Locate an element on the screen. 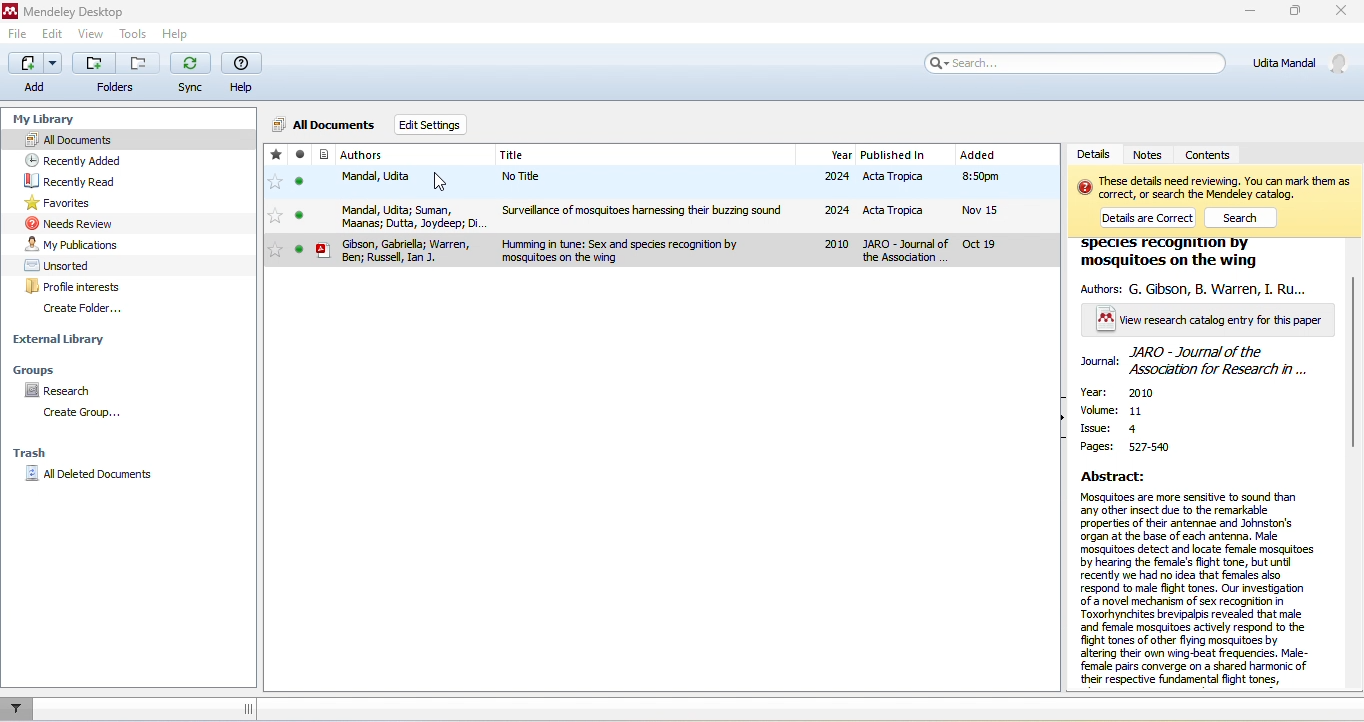 This screenshot has height=722, width=1364. all documents is located at coordinates (323, 127).